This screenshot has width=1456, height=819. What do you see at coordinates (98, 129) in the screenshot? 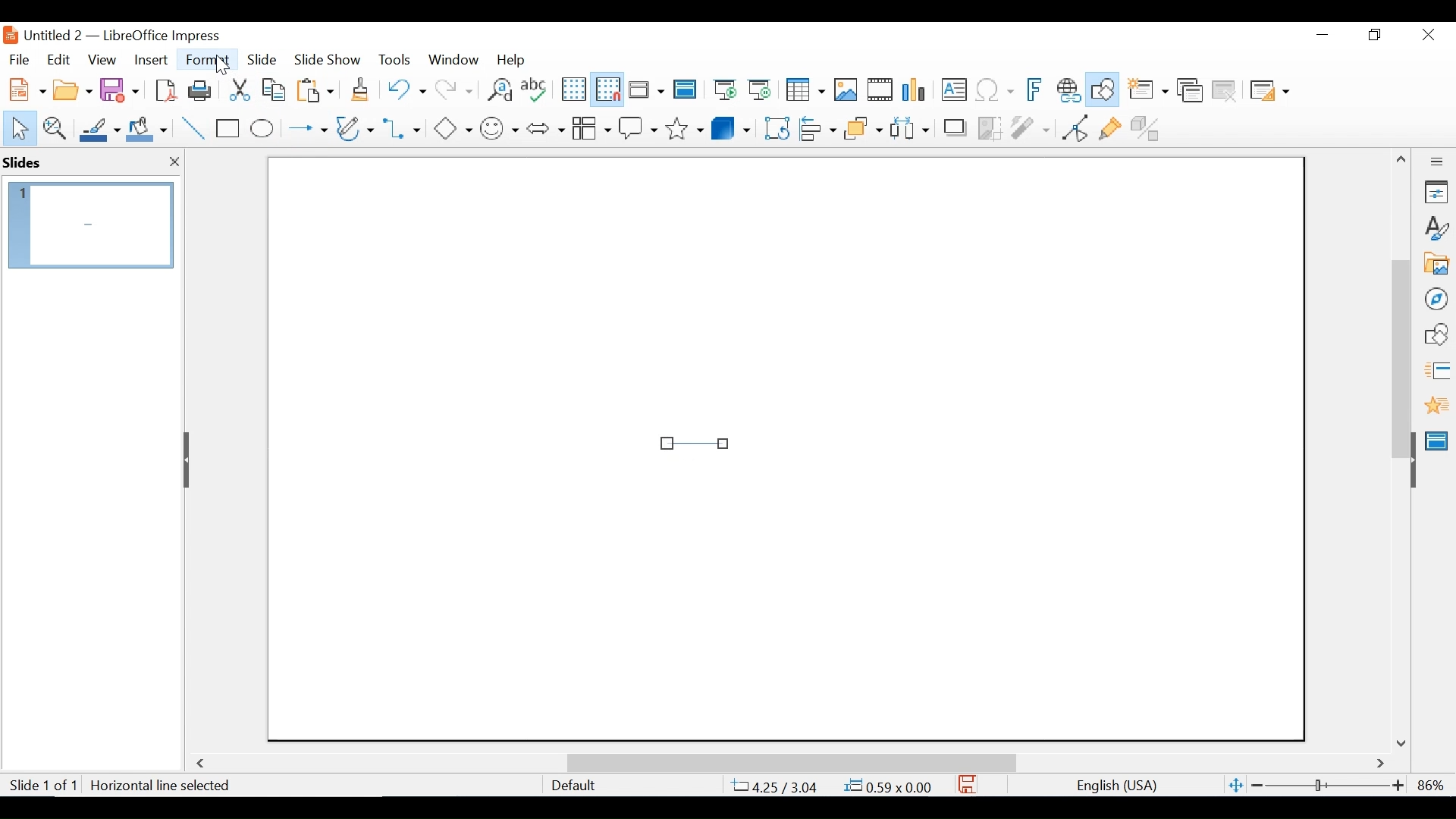
I see `Line Color` at bounding box center [98, 129].